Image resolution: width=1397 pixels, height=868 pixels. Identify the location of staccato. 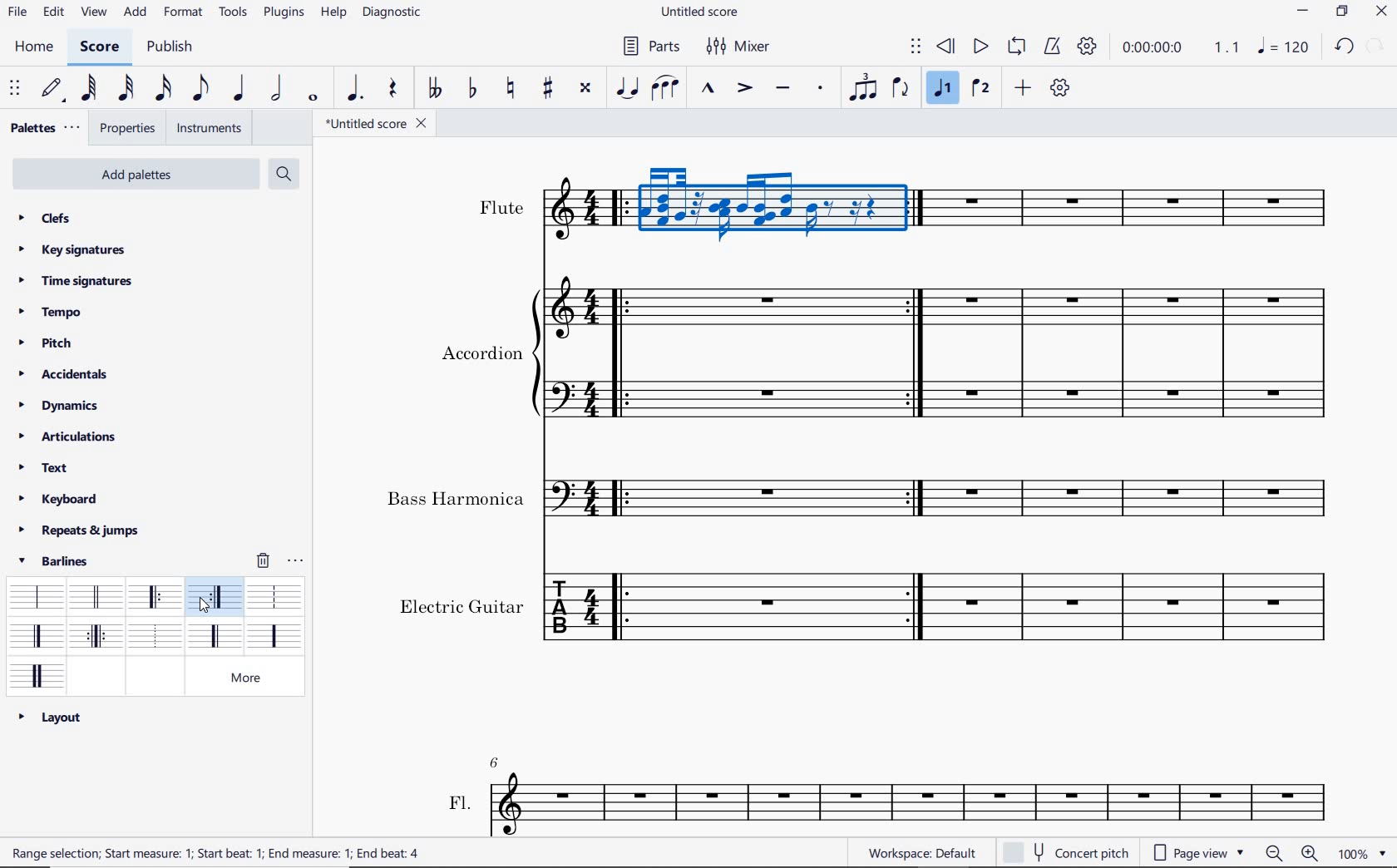
(822, 87).